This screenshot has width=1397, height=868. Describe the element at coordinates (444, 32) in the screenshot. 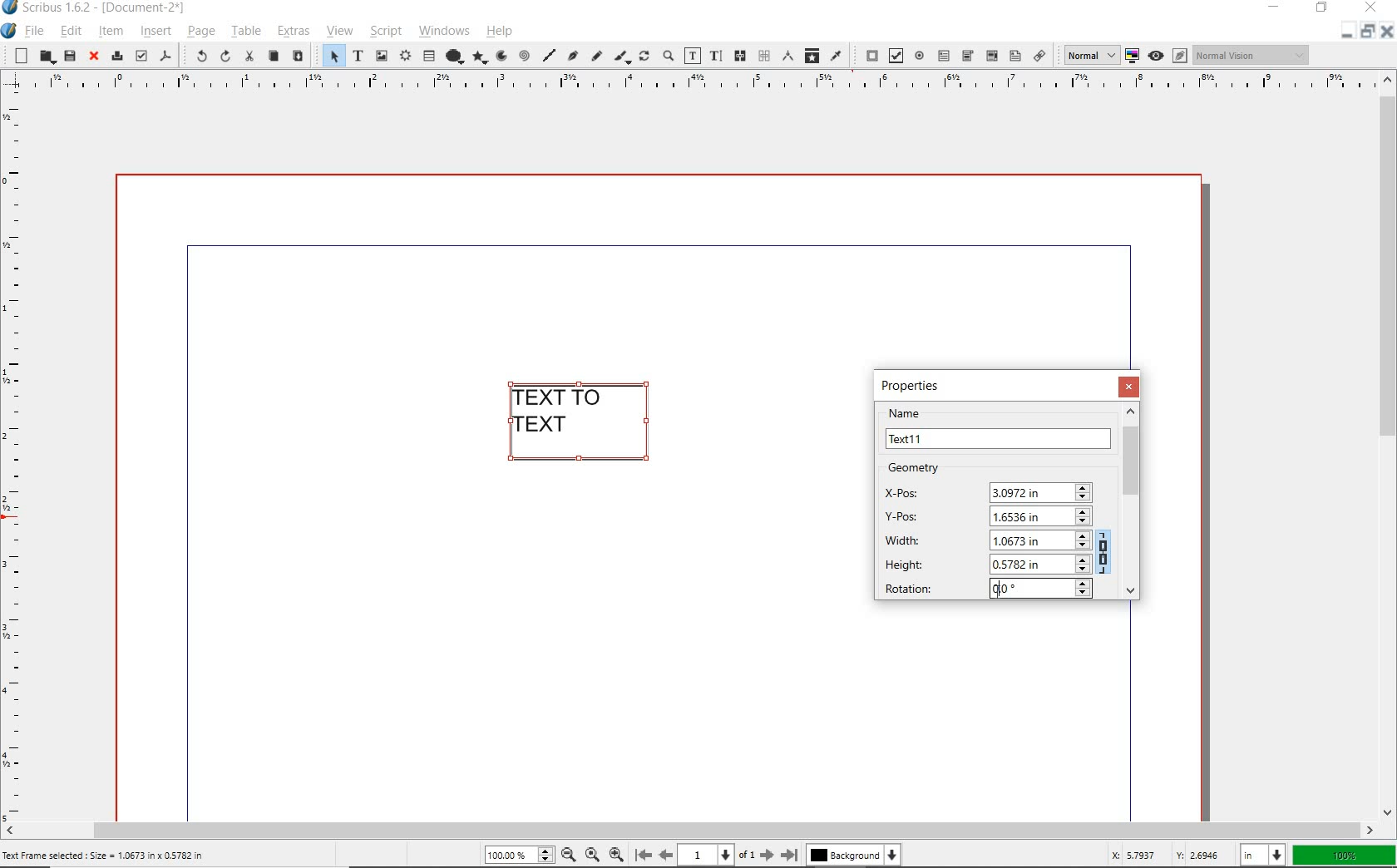

I see `windows` at that location.